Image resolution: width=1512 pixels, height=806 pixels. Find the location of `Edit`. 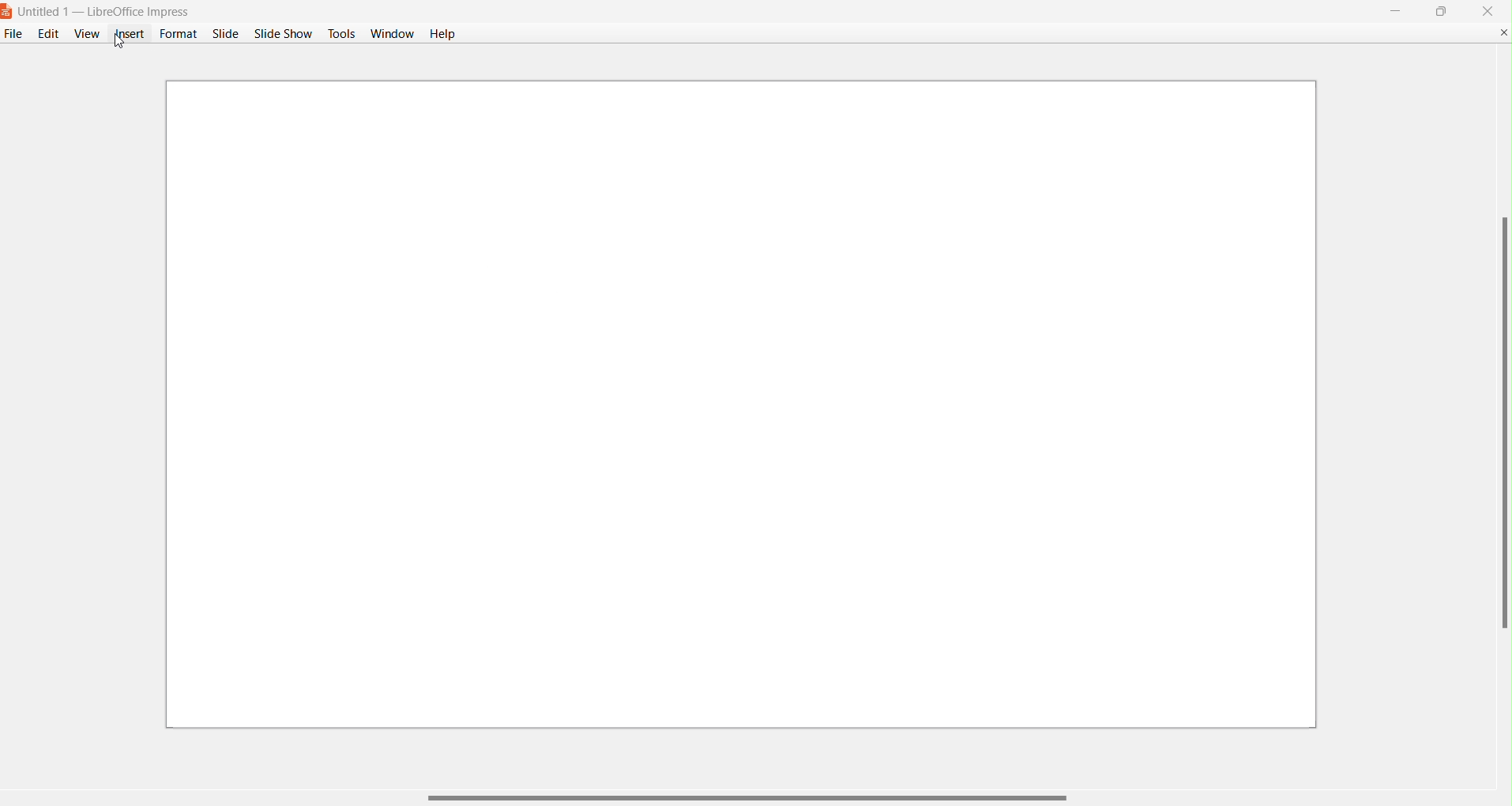

Edit is located at coordinates (48, 33).